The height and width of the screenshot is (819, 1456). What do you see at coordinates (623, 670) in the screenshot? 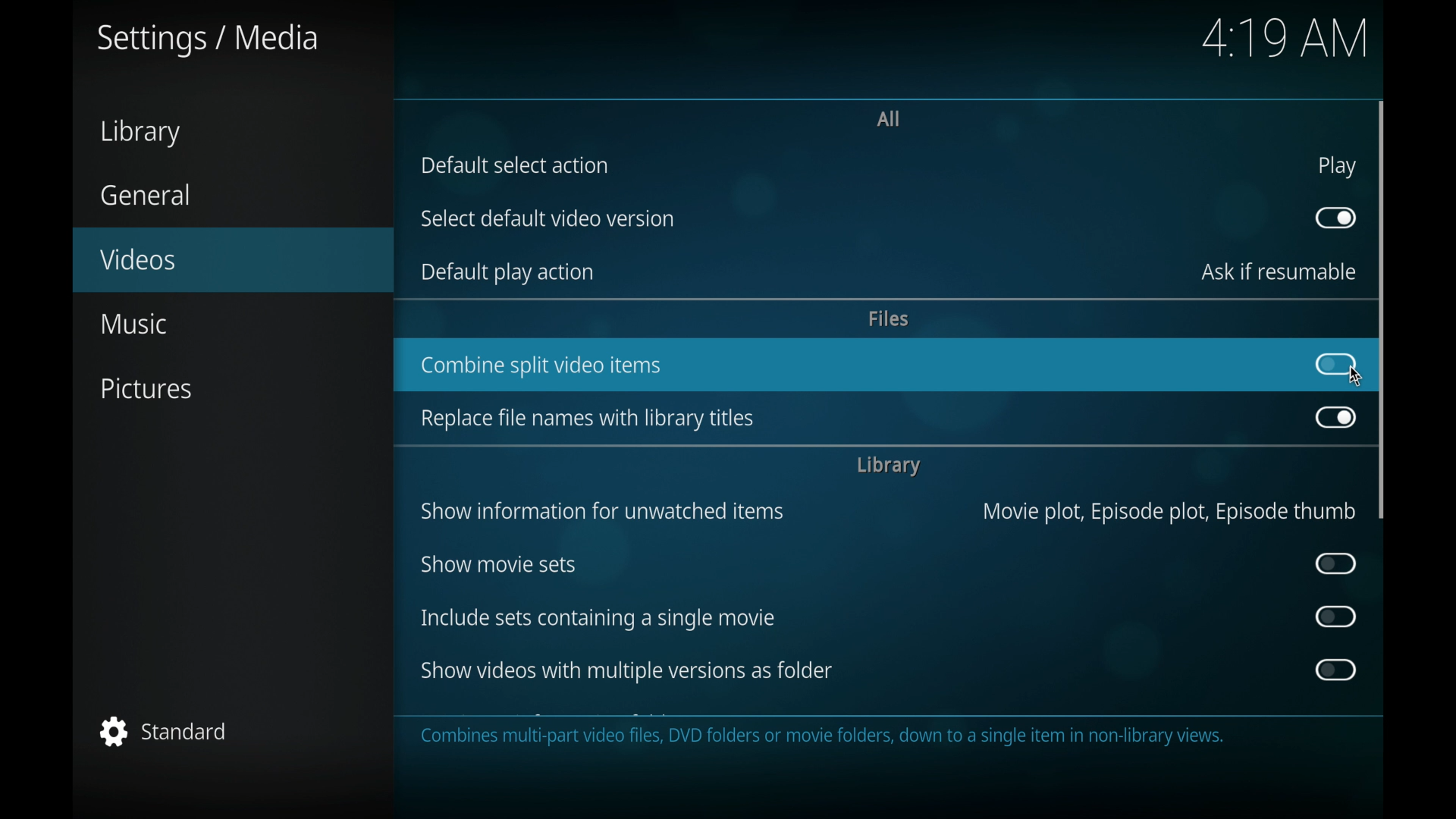
I see `show videos with multiple versions` at bounding box center [623, 670].